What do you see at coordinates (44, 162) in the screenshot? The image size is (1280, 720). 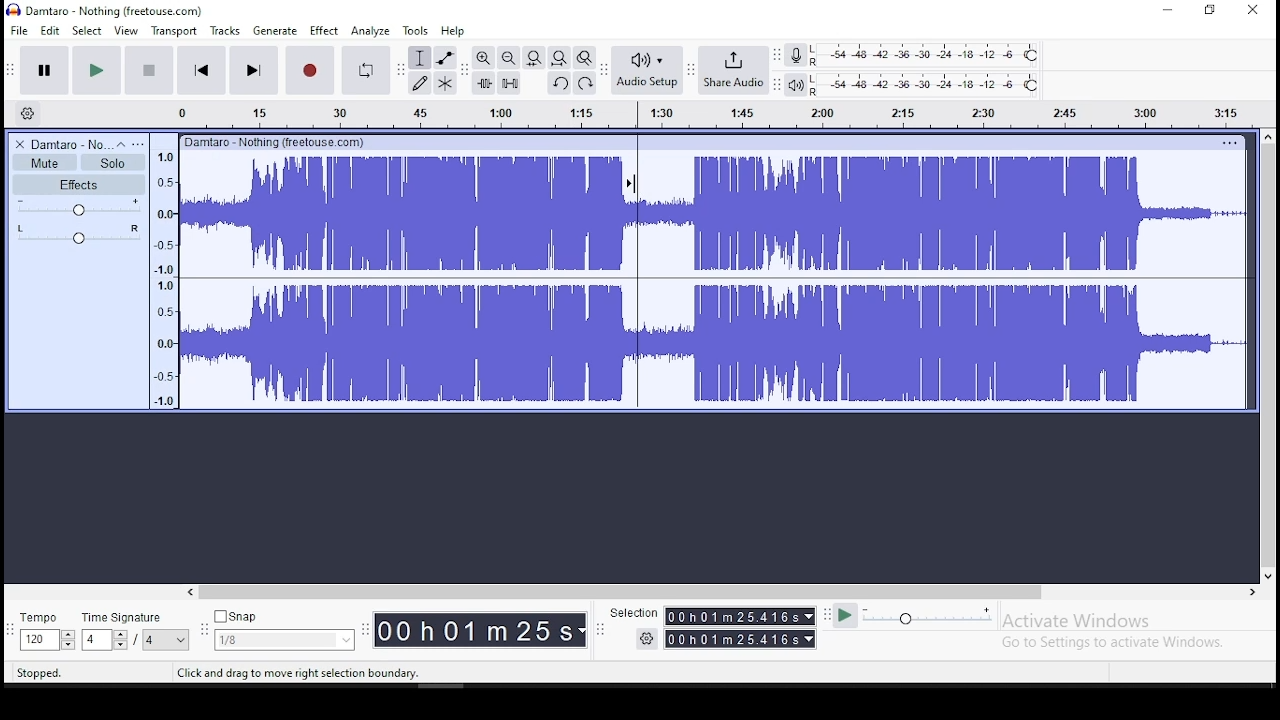 I see `mute` at bounding box center [44, 162].